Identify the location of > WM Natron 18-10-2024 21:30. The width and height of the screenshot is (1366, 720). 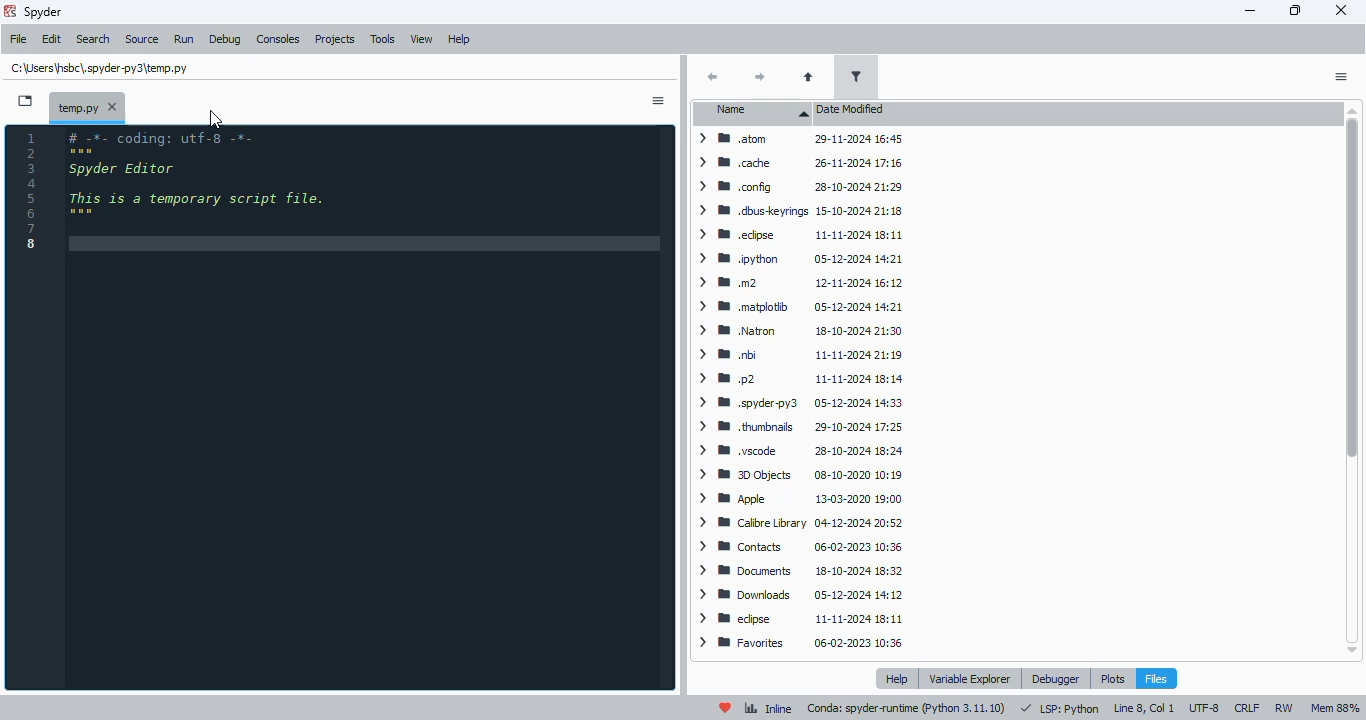
(795, 330).